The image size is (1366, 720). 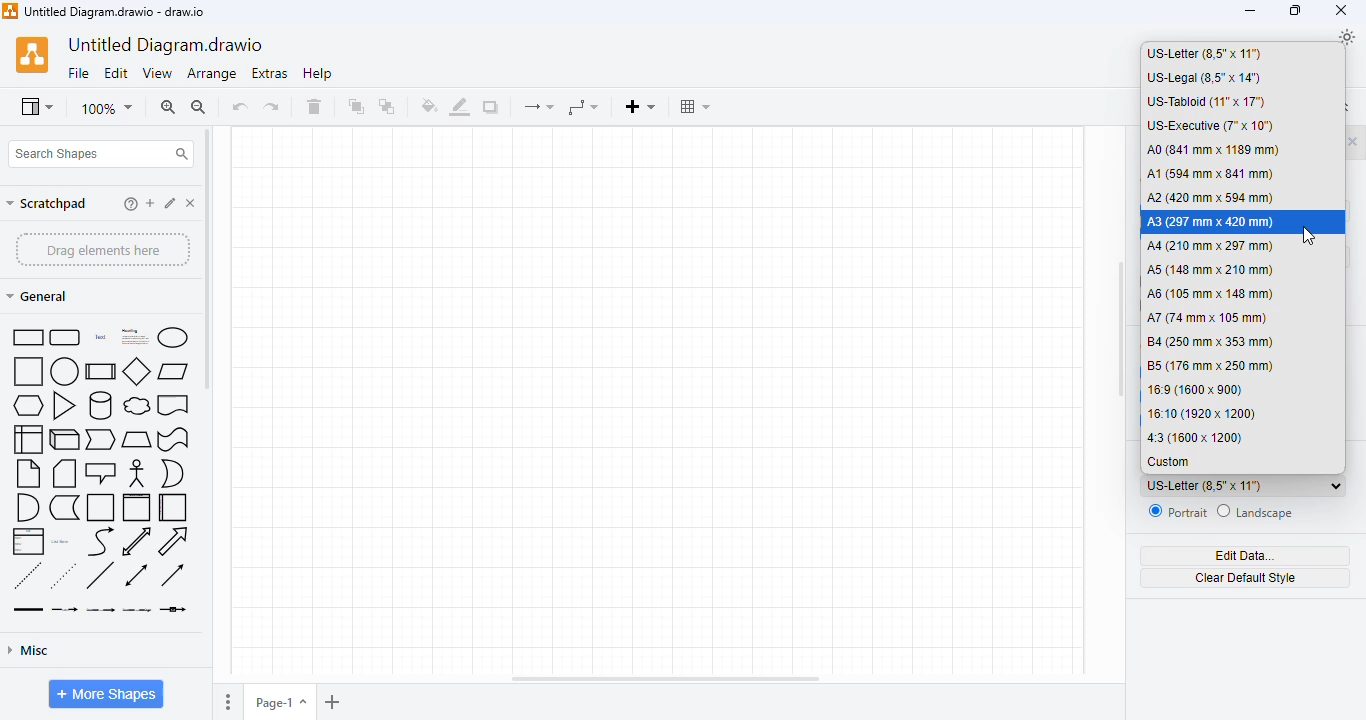 What do you see at coordinates (62, 542) in the screenshot?
I see `list item` at bounding box center [62, 542].